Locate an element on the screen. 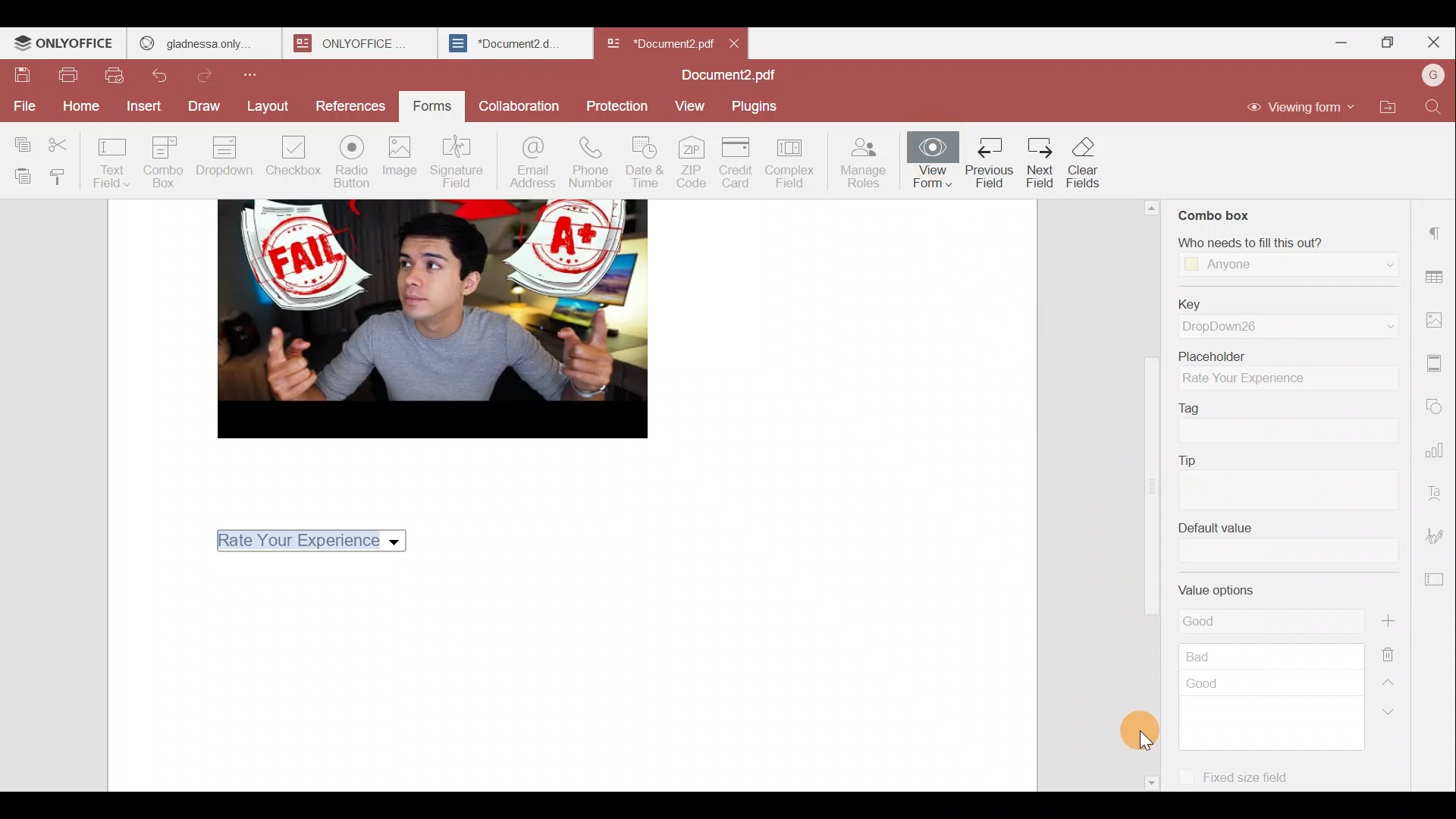  Table settings is located at coordinates (1439, 277).